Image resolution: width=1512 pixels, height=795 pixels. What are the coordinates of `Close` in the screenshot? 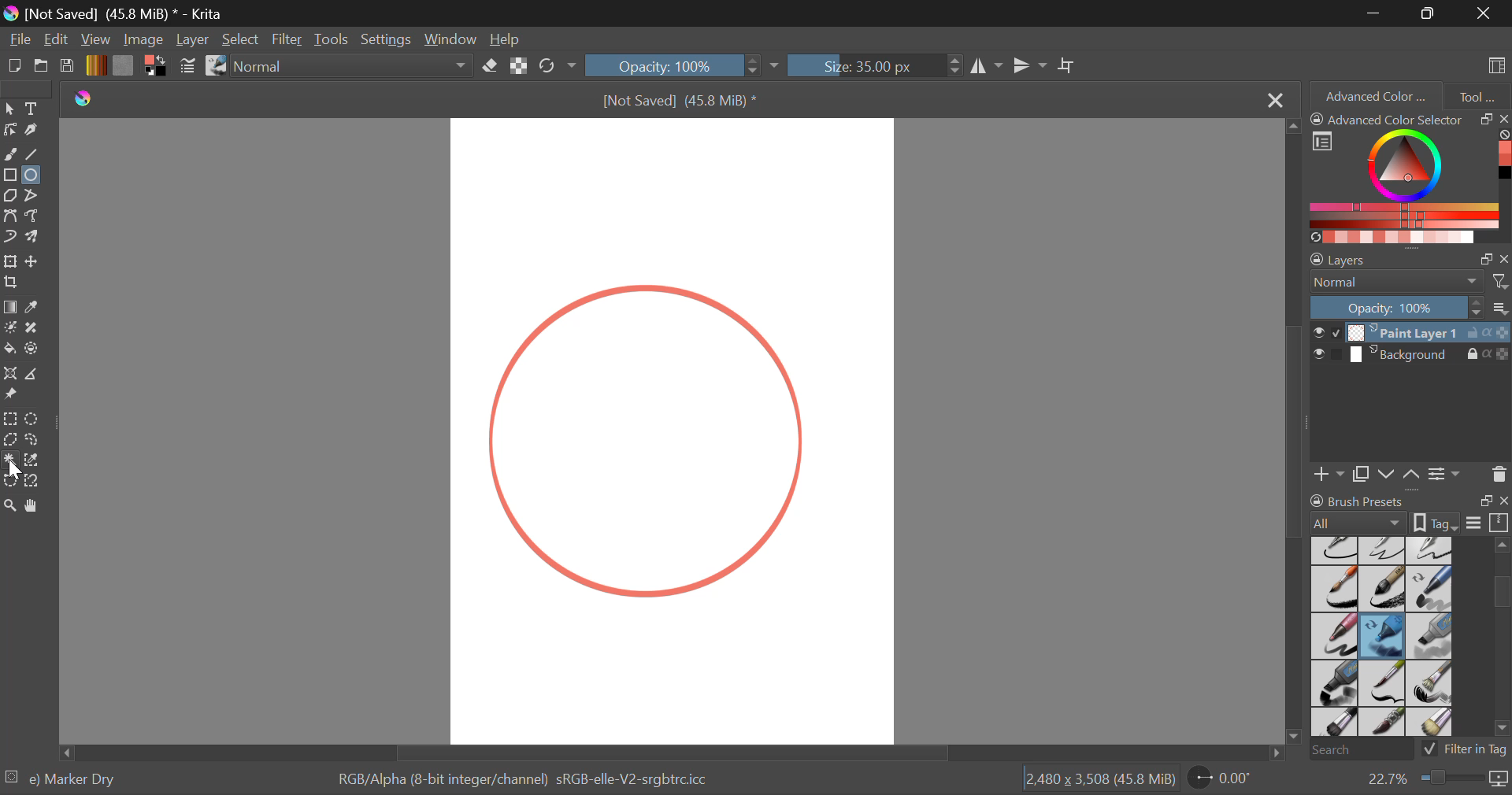 It's located at (1273, 101).